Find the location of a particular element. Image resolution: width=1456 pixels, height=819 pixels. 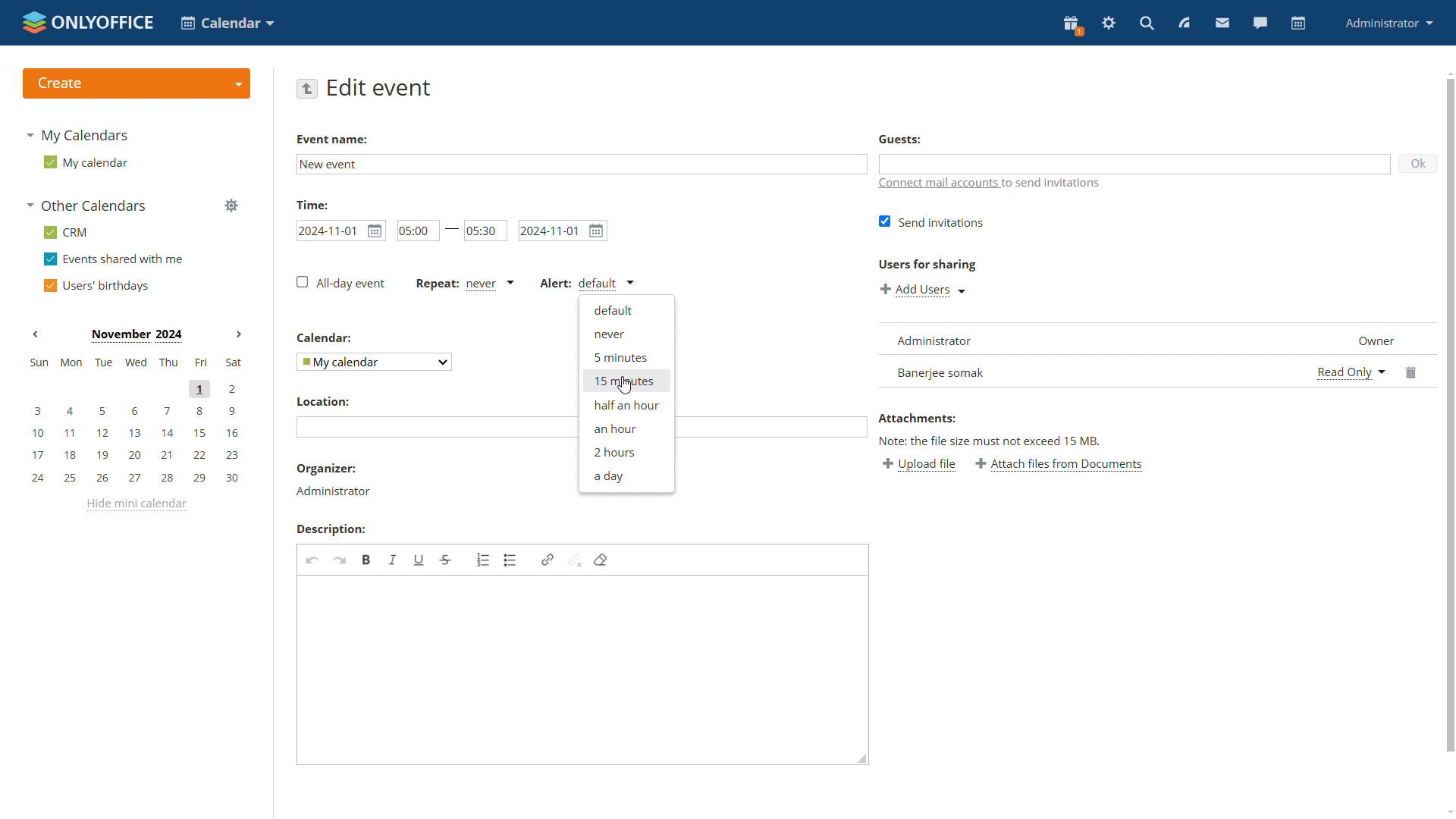

end time is located at coordinates (487, 230).